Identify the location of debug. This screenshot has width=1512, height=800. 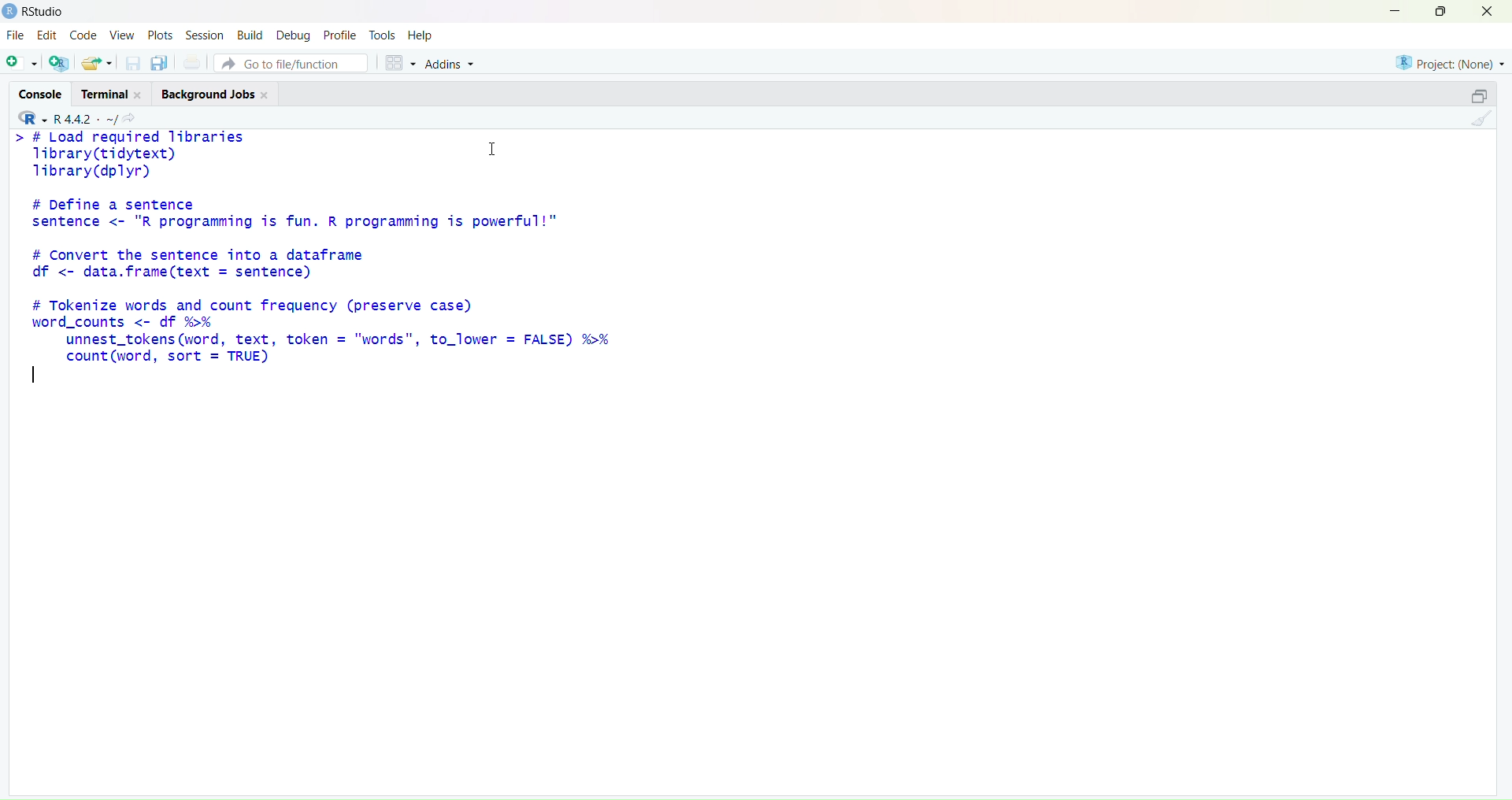
(295, 35).